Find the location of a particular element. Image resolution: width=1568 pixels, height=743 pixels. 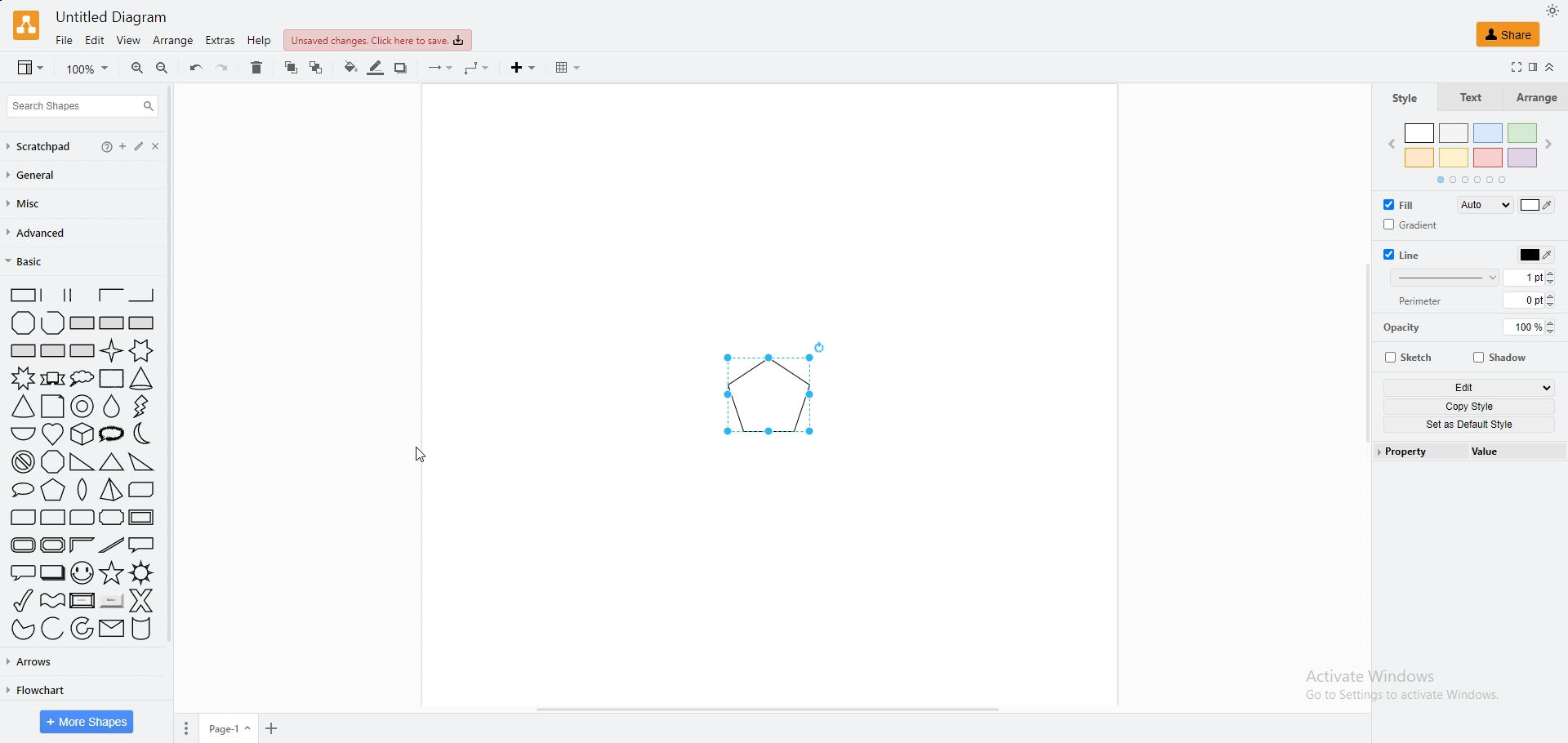

six point star is located at coordinates (143, 350).